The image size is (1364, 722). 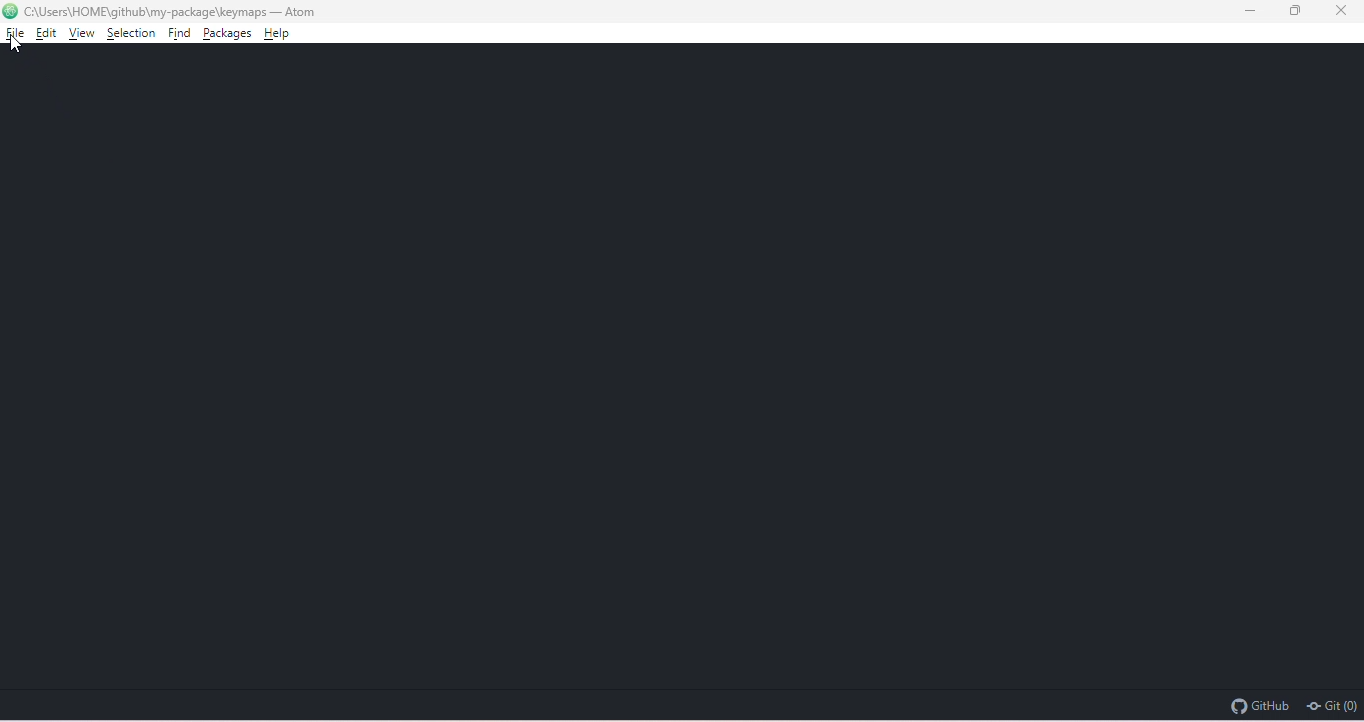 What do you see at coordinates (147, 11) in the screenshot?
I see `c\users\HOME\github\my-package\keymaps` at bounding box center [147, 11].